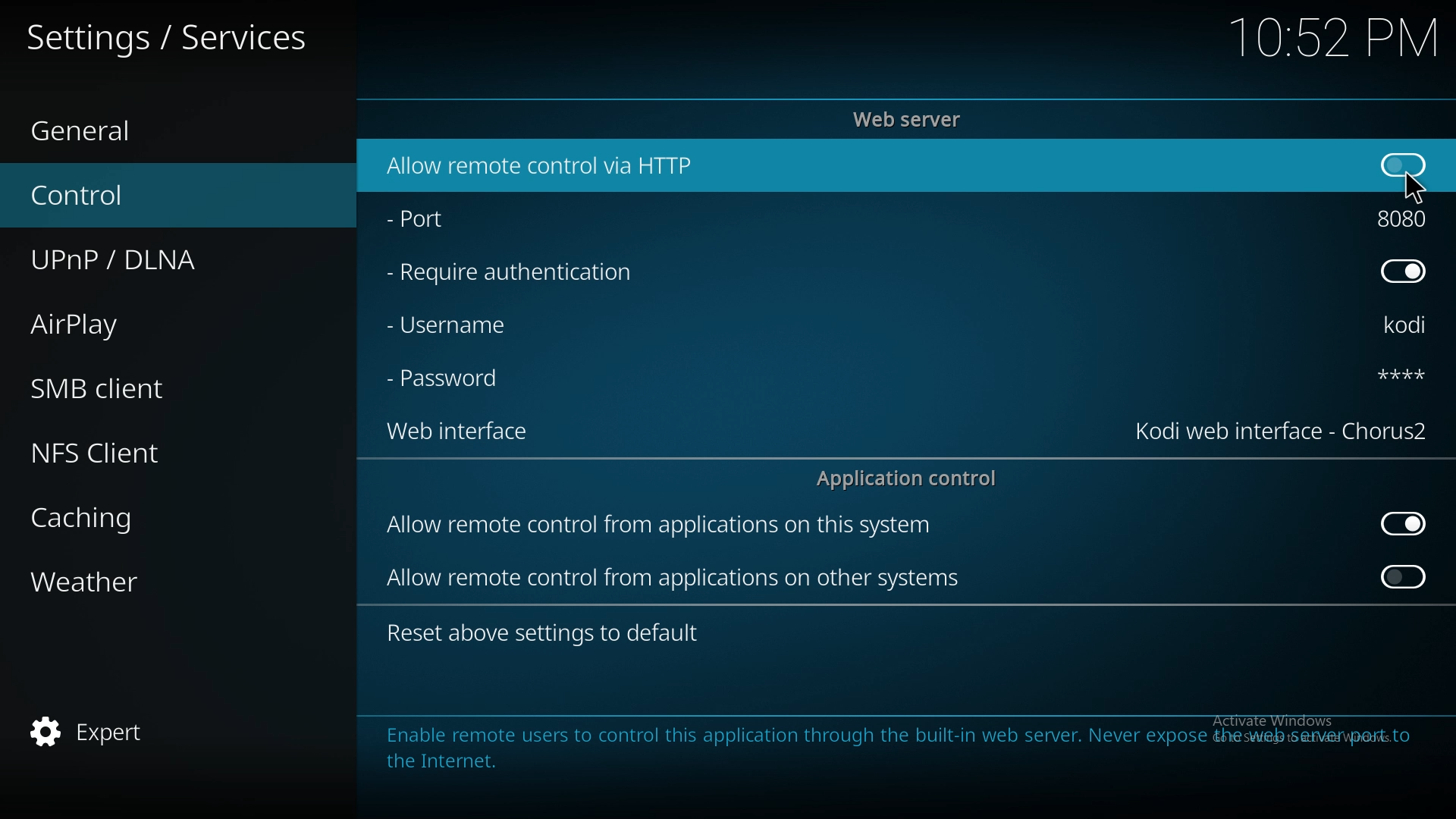 This screenshot has height=819, width=1456. What do you see at coordinates (1403, 271) in the screenshot?
I see `toggle` at bounding box center [1403, 271].